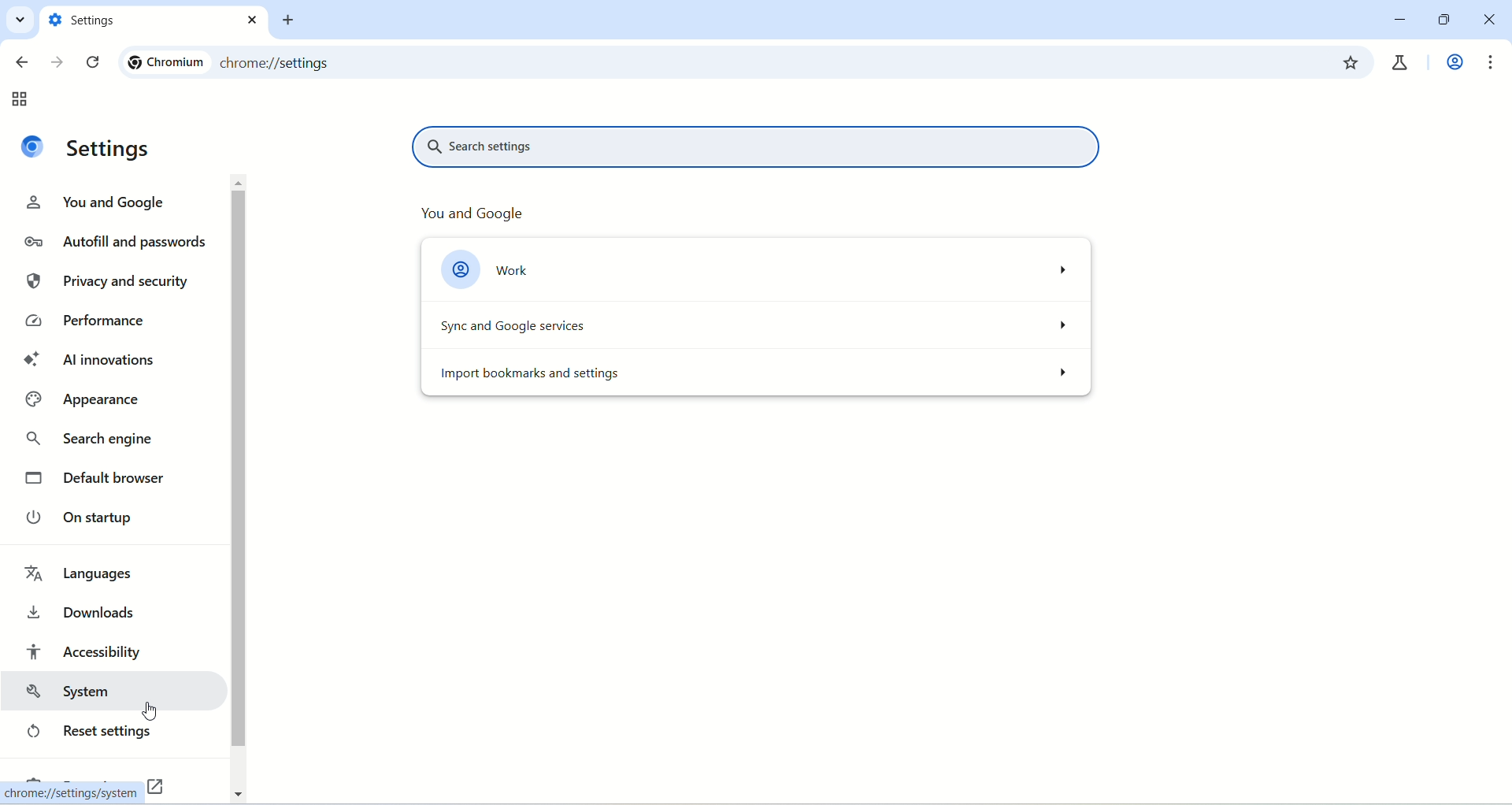 This screenshot has width=1512, height=805. Describe the element at coordinates (235, 65) in the screenshot. I see `Chromium  chrome://settings` at that location.